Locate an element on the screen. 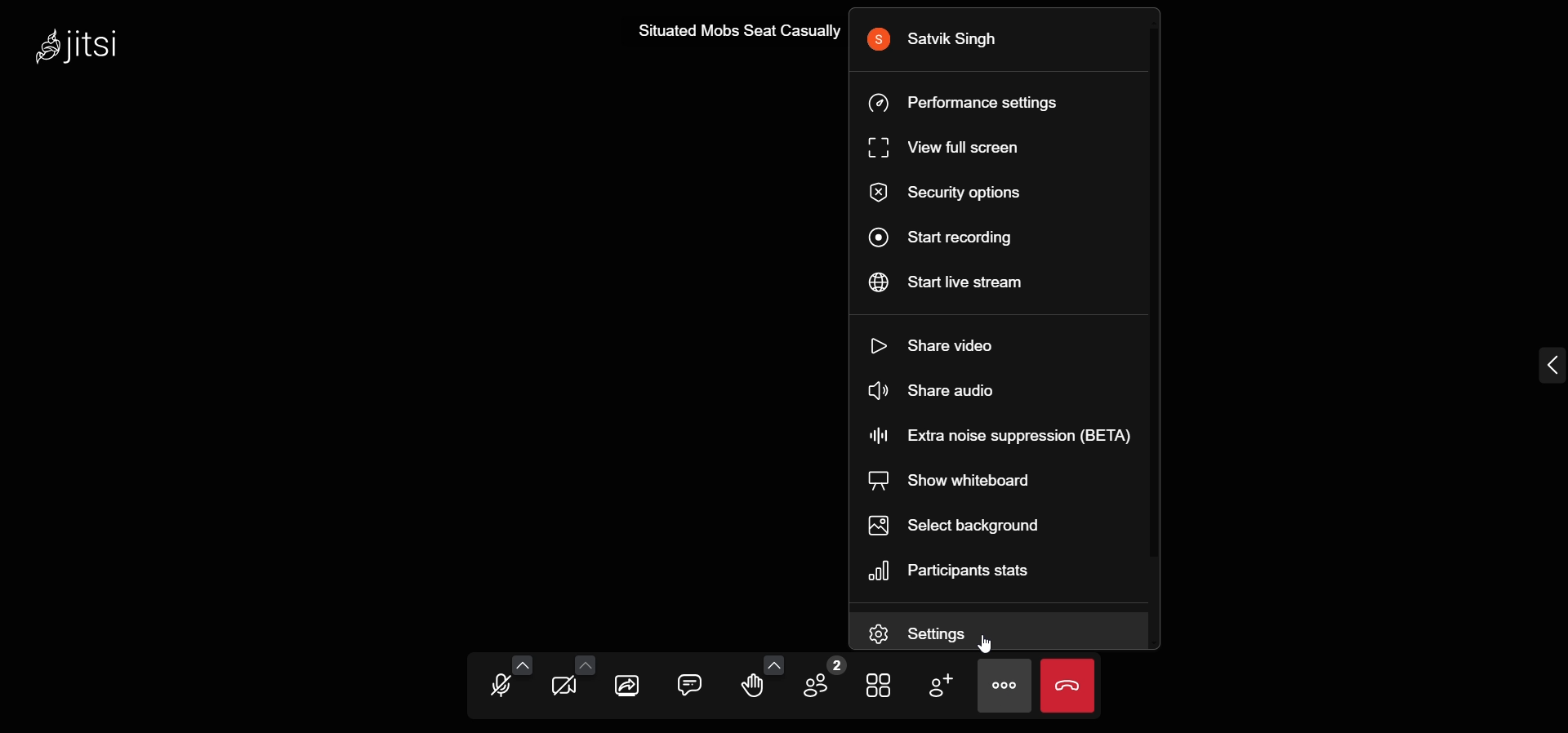  more camera option is located at coordinates (584, 665).